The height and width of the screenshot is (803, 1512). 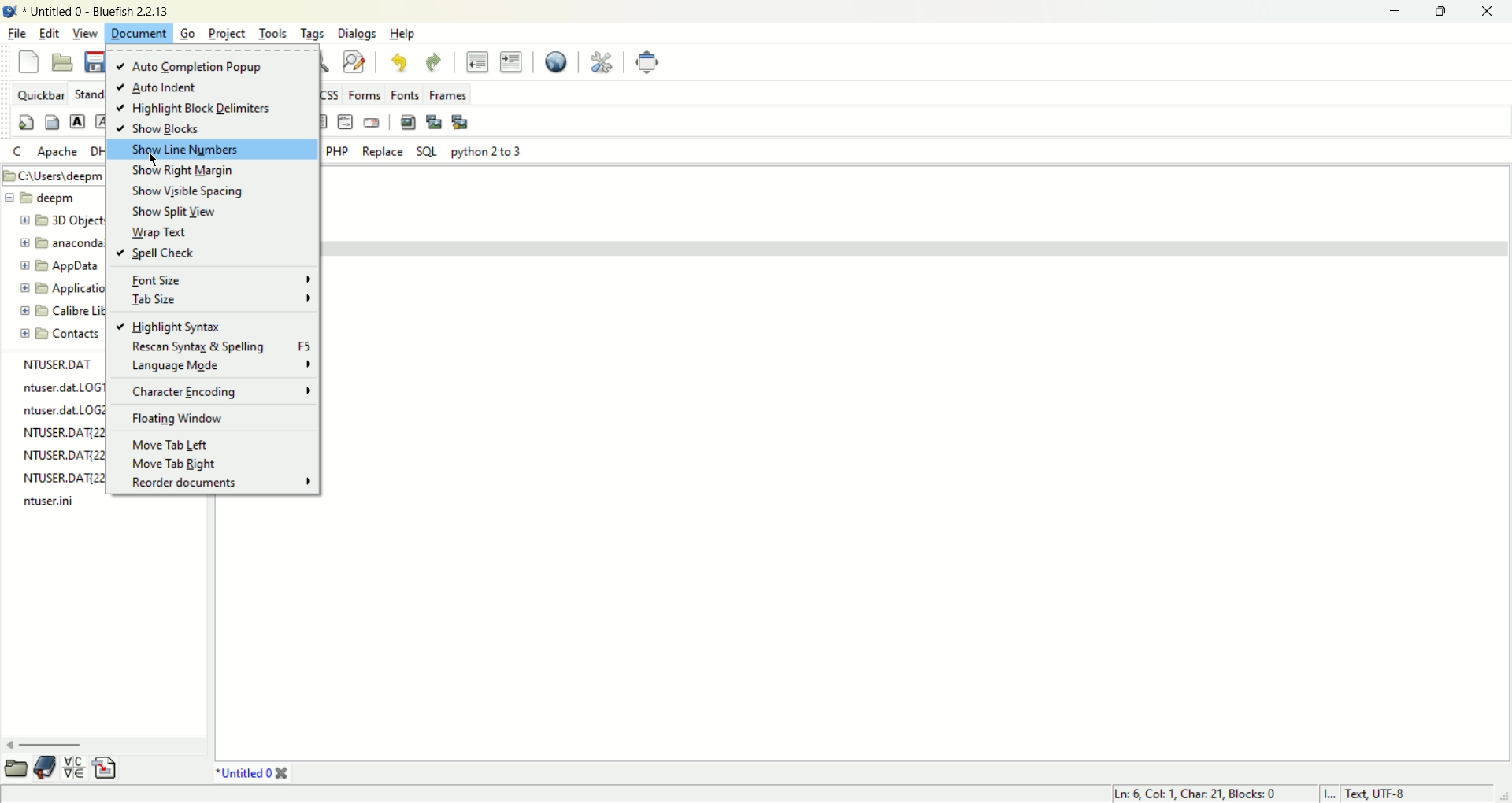 I want to click on deepm, so click(x=46, y=199).